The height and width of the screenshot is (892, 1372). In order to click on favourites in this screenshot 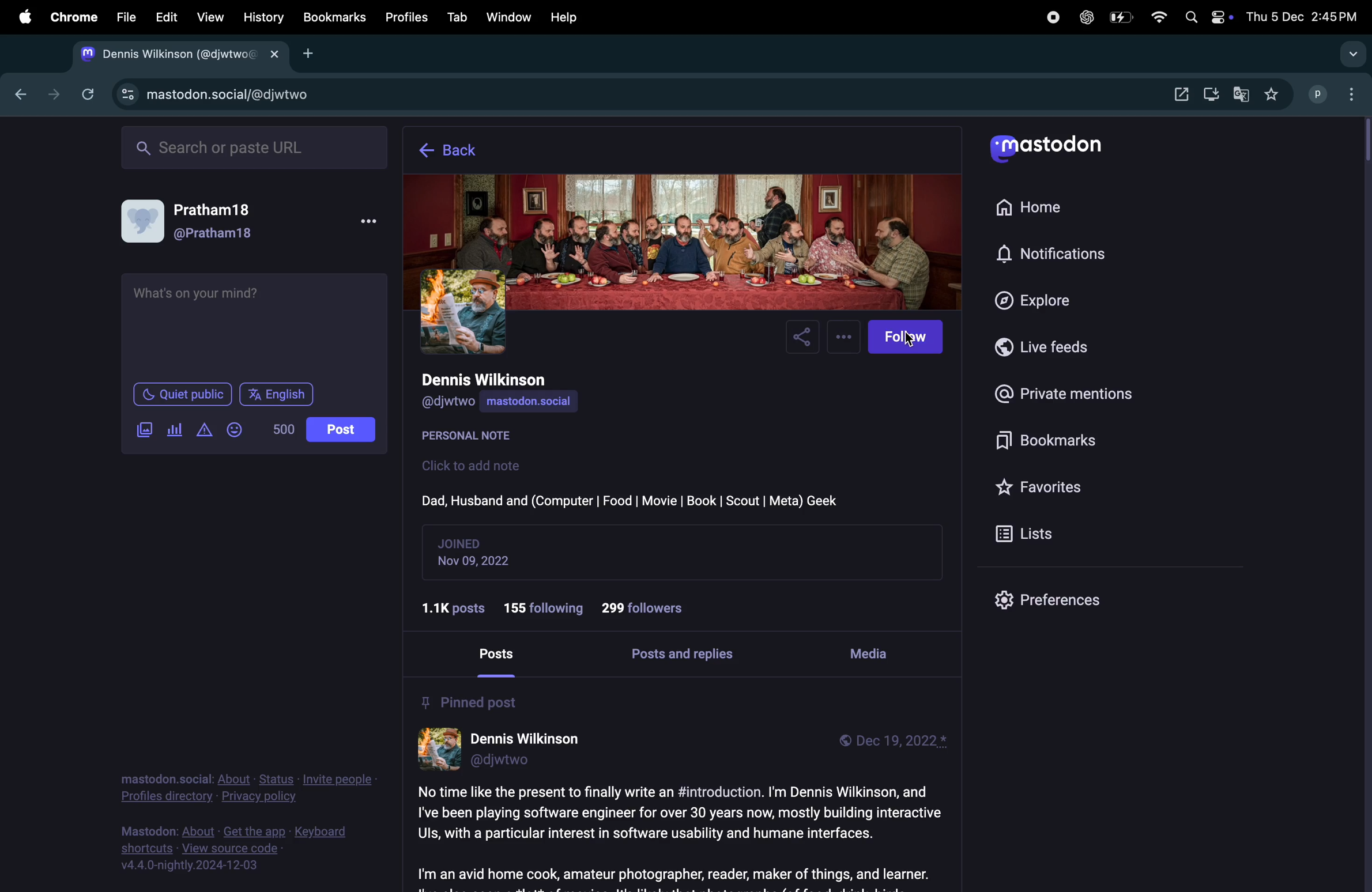, I will do `click(1044, 488)`.